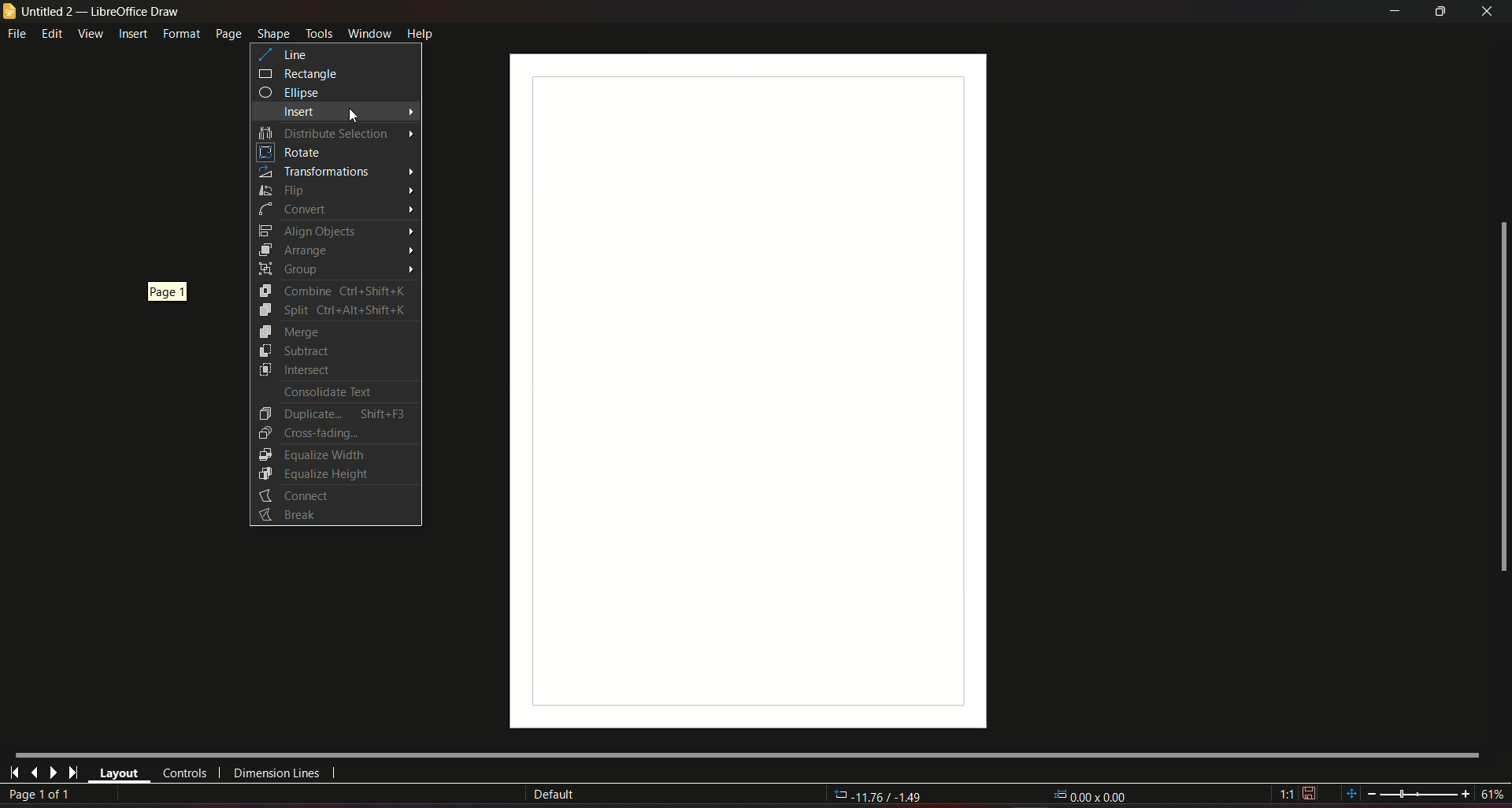 The height and width of the screenshot is (808, 1512). What do you see at coordinates (332, 309) in the screenshot?
I see `Split` at bounding box center [332, 309].